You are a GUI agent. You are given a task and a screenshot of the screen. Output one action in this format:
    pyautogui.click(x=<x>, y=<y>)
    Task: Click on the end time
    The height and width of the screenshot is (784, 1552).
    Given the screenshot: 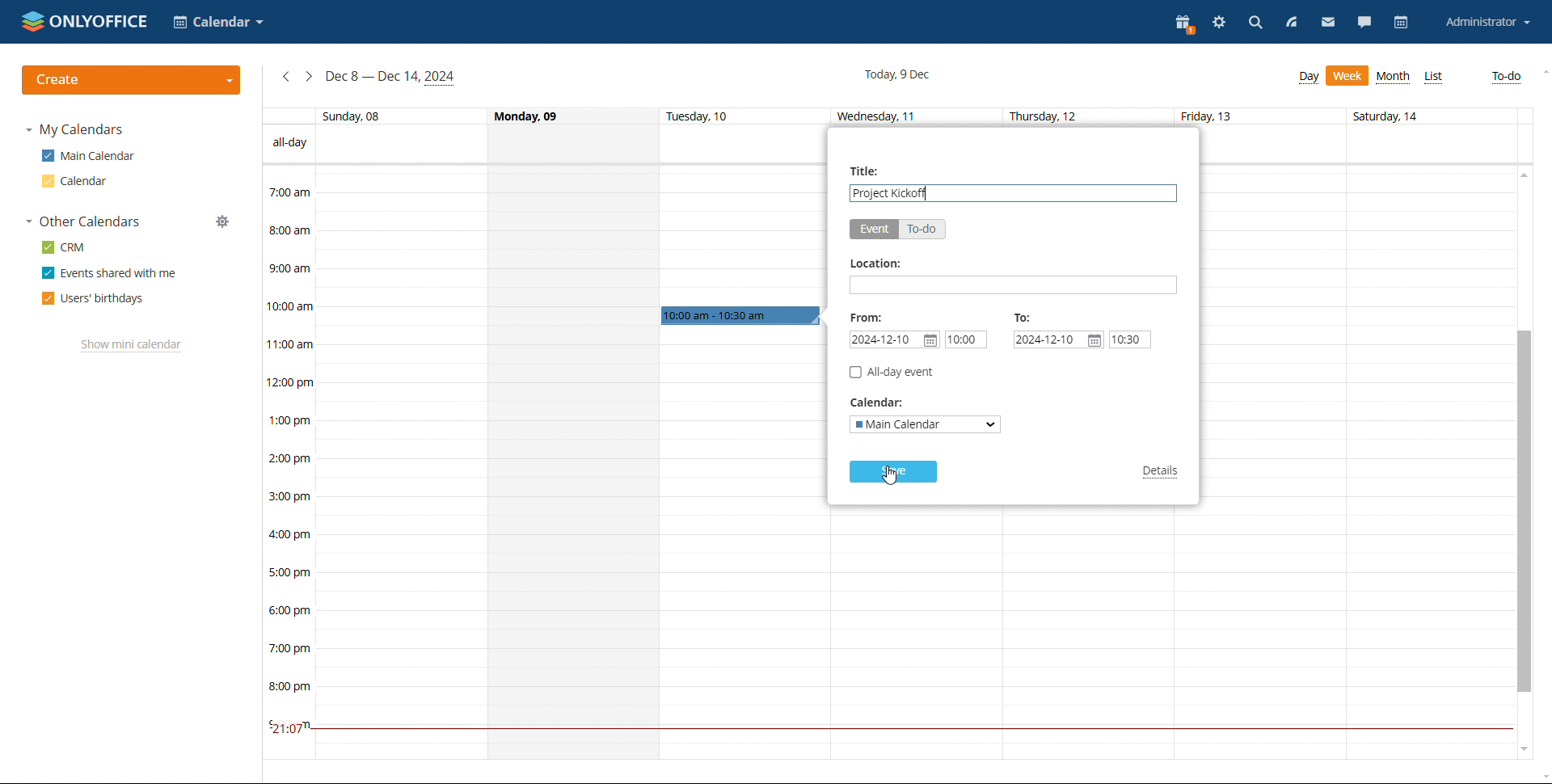 What is the action you would take?
    pyautogui.click(x=1130, y=339)
    